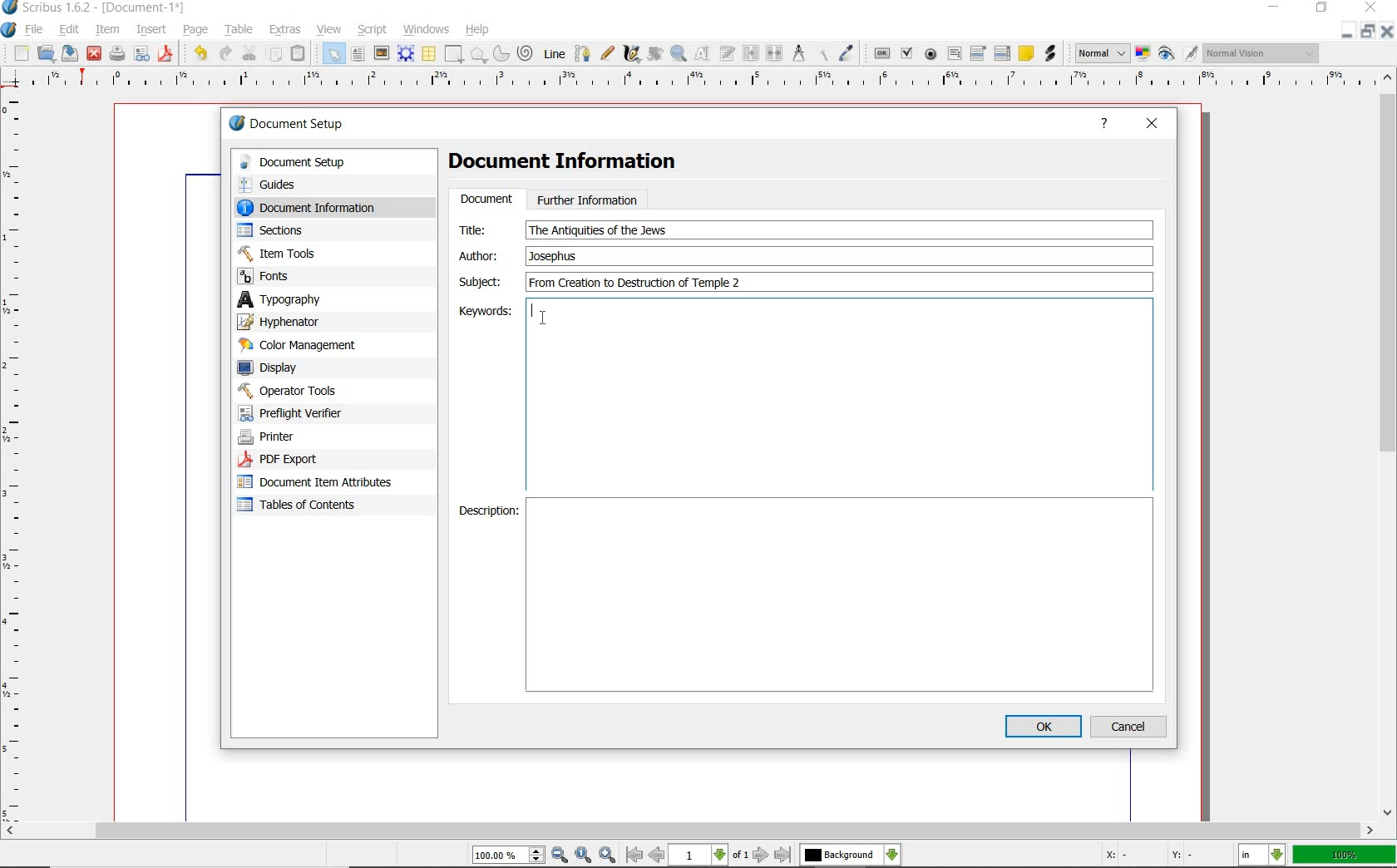 The image size is (1397, 868). I want to click on table, so click(239, 29).